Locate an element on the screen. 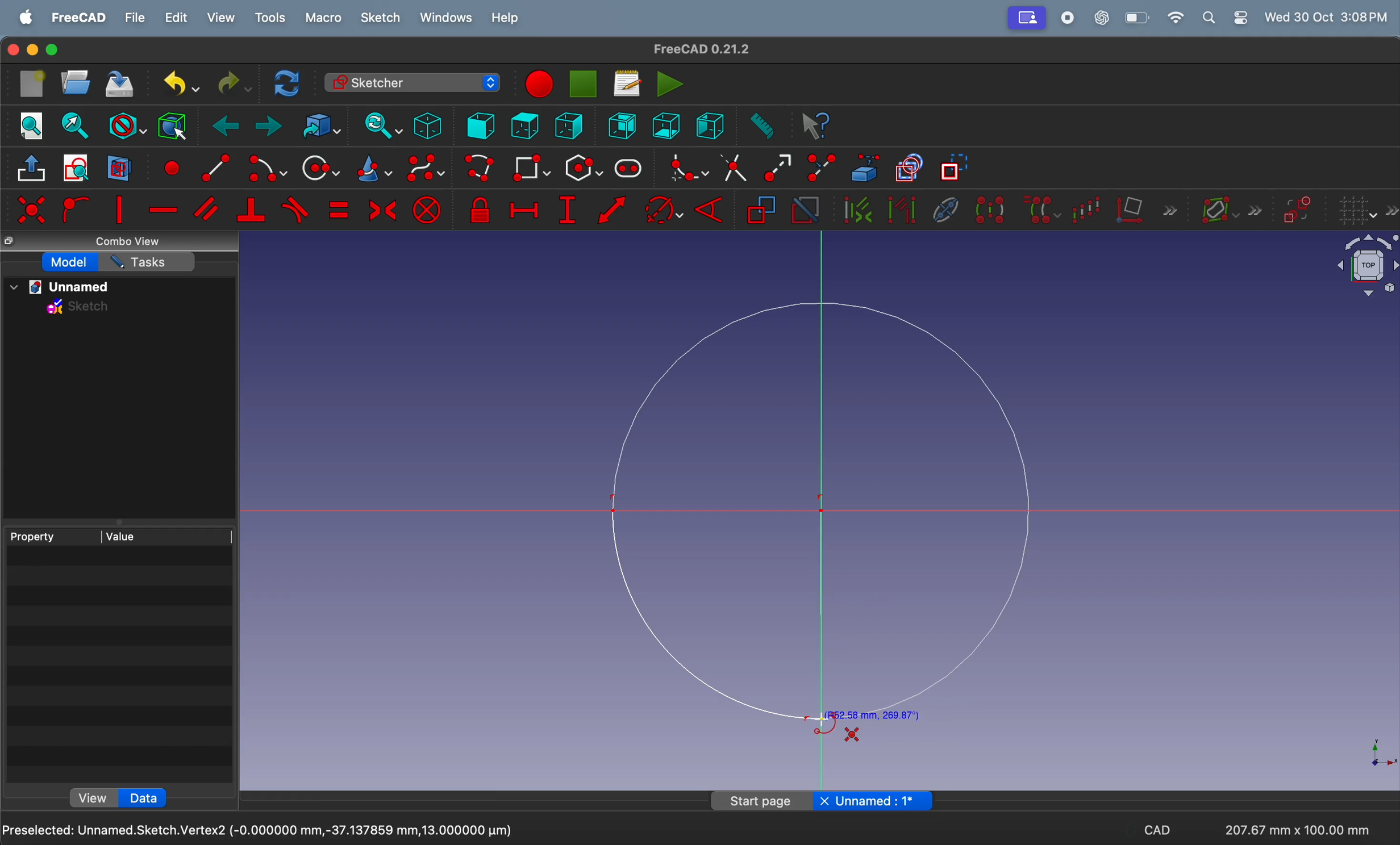 The width and height of the screenshot is (1400, 845). cursor is located at coordinates (823, 720).